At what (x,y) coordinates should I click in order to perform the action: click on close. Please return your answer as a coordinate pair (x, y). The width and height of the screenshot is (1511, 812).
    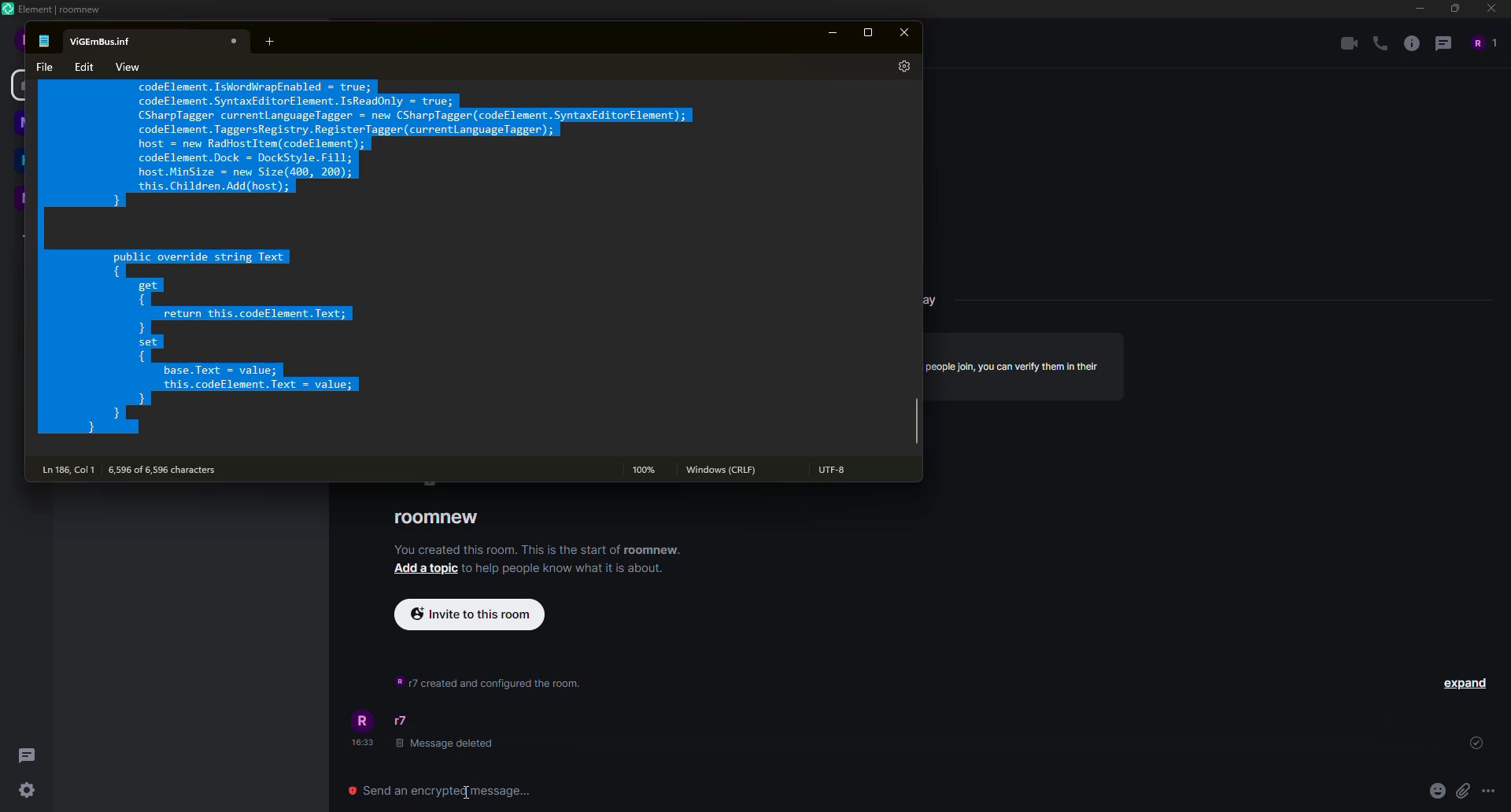
    Looking at the image, I should click on (907, 34).